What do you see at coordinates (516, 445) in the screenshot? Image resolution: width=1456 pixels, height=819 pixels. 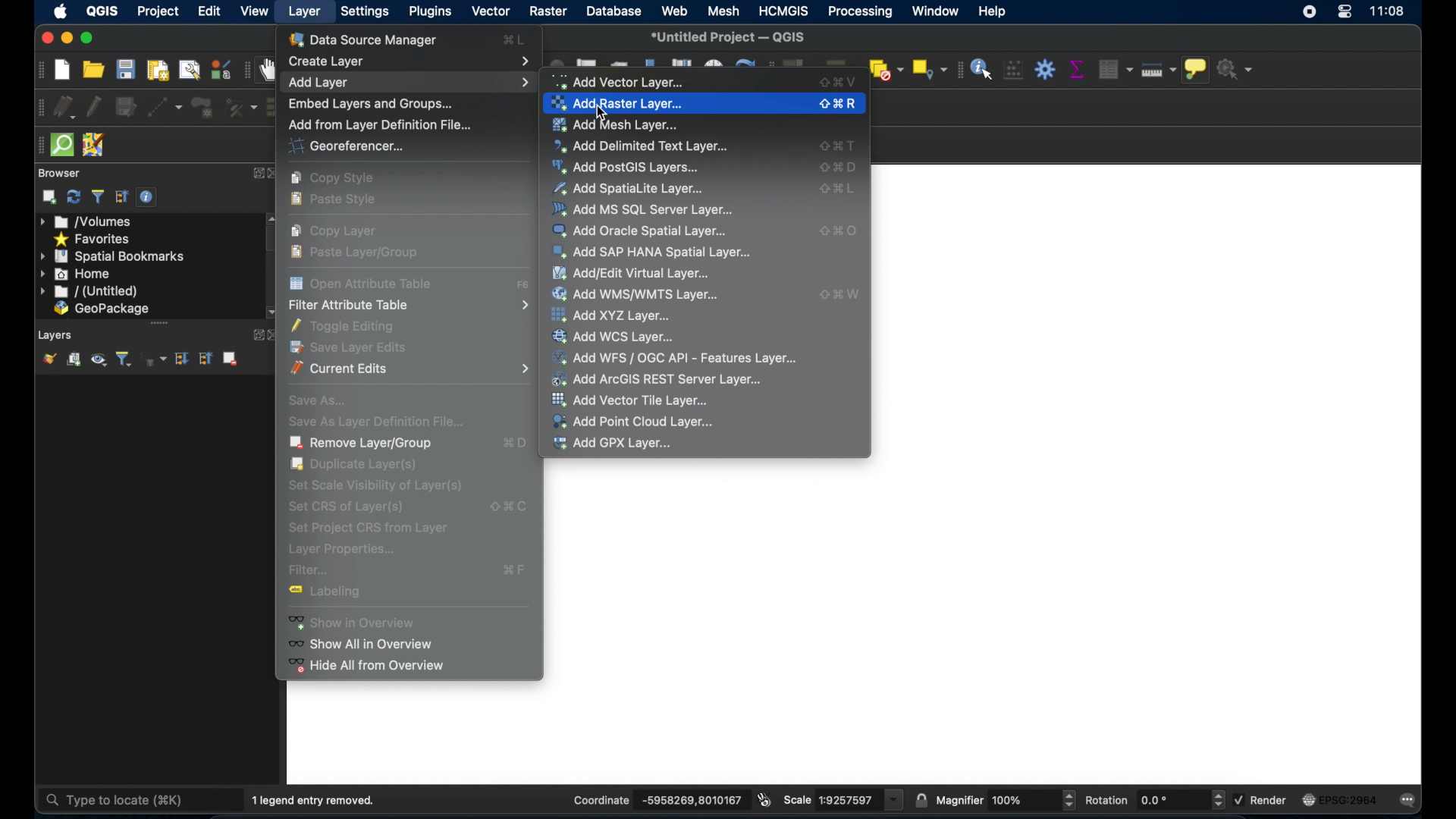 I see `remove layer shortcut` at bounding box center [516, 445].